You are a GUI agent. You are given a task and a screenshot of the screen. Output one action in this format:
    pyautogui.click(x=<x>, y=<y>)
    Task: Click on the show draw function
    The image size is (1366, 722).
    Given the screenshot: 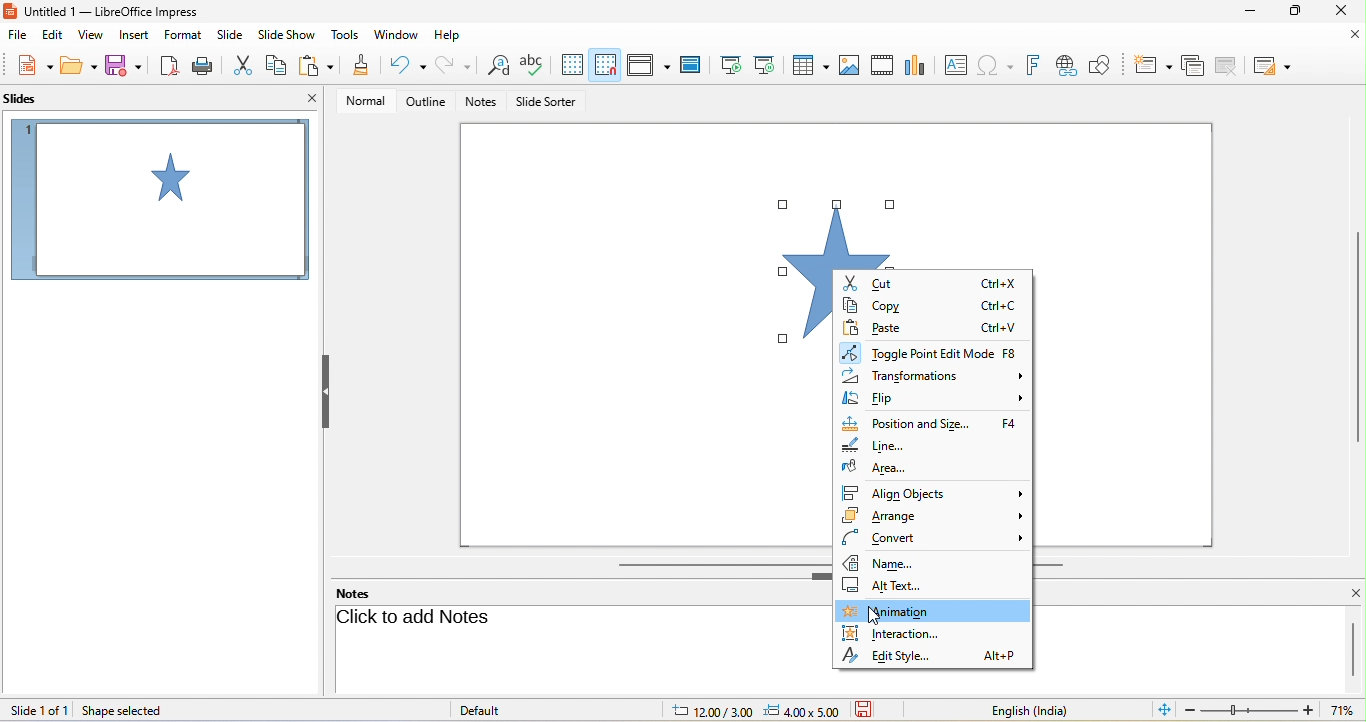 What is the action you would take?
    pyautogui.click(x=1100, y=64)
    